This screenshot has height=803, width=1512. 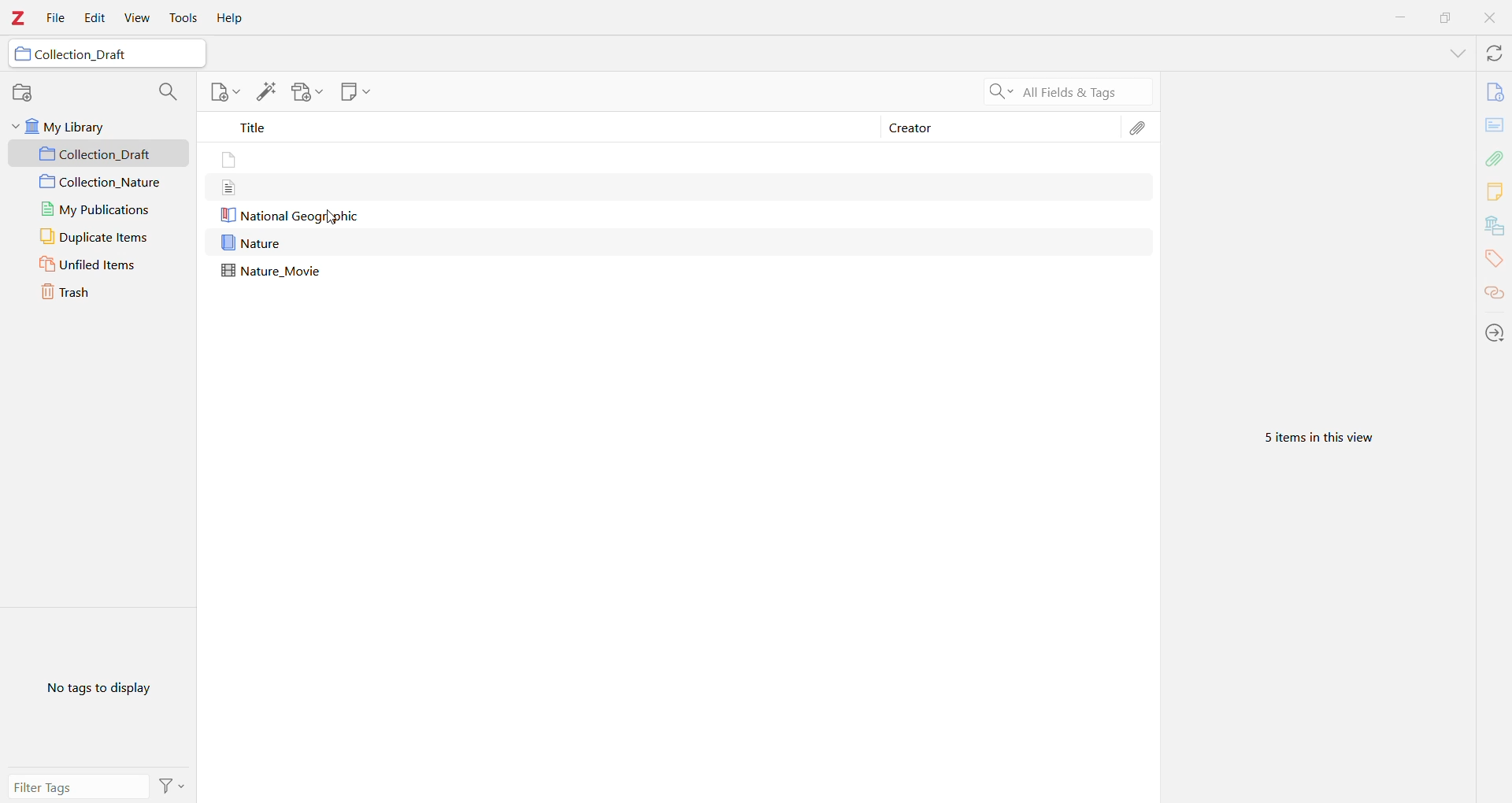 What do you see at coordinates (1495, 332) in the screenshot?
I see `Locate` at bounding box center [1495, 332].